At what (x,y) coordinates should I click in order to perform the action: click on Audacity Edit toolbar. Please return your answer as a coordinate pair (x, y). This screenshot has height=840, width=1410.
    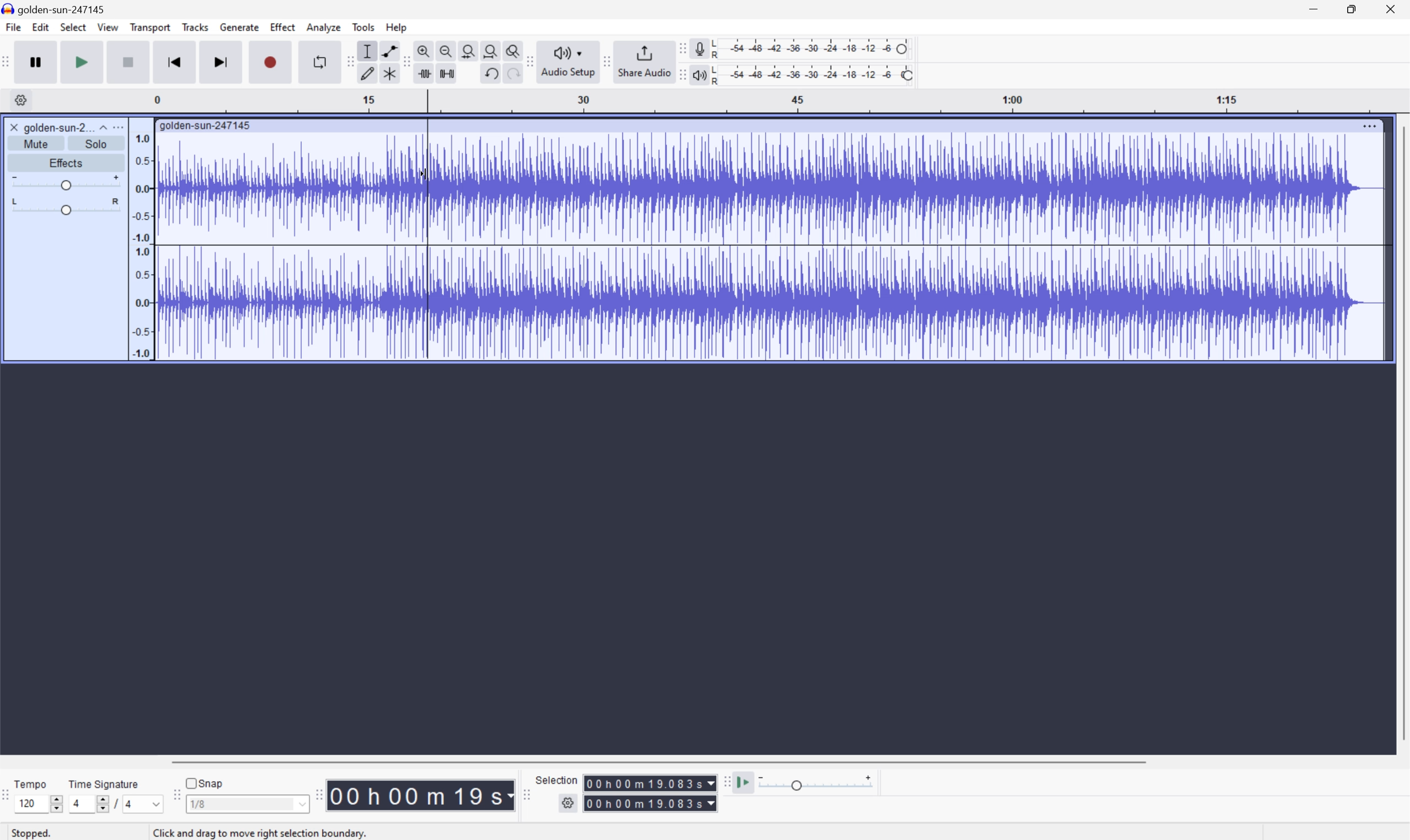
    Looking at the image, I should click on (347, 62).